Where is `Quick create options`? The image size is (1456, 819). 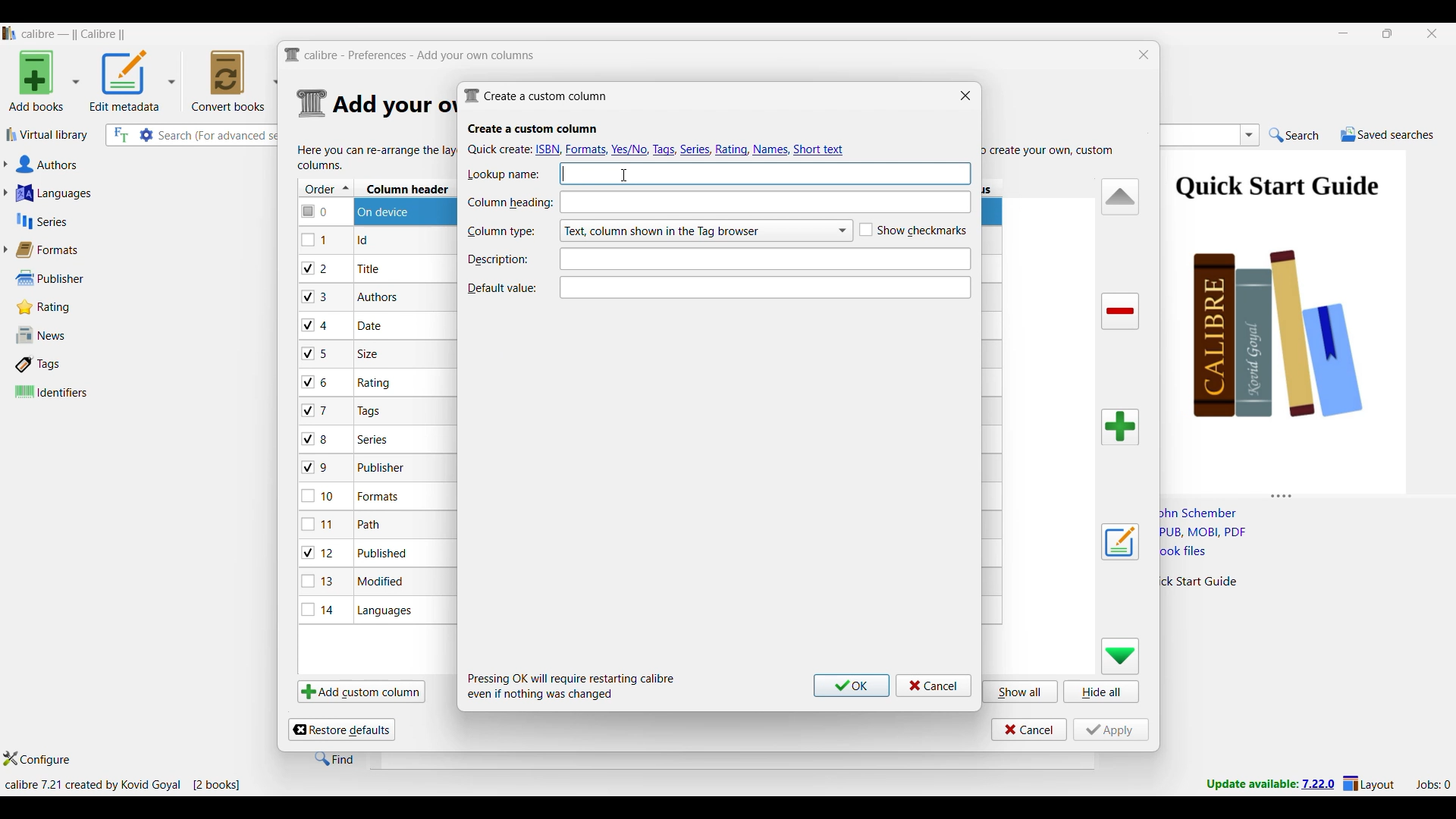
Quick create options is located at coordinates (658, 149).